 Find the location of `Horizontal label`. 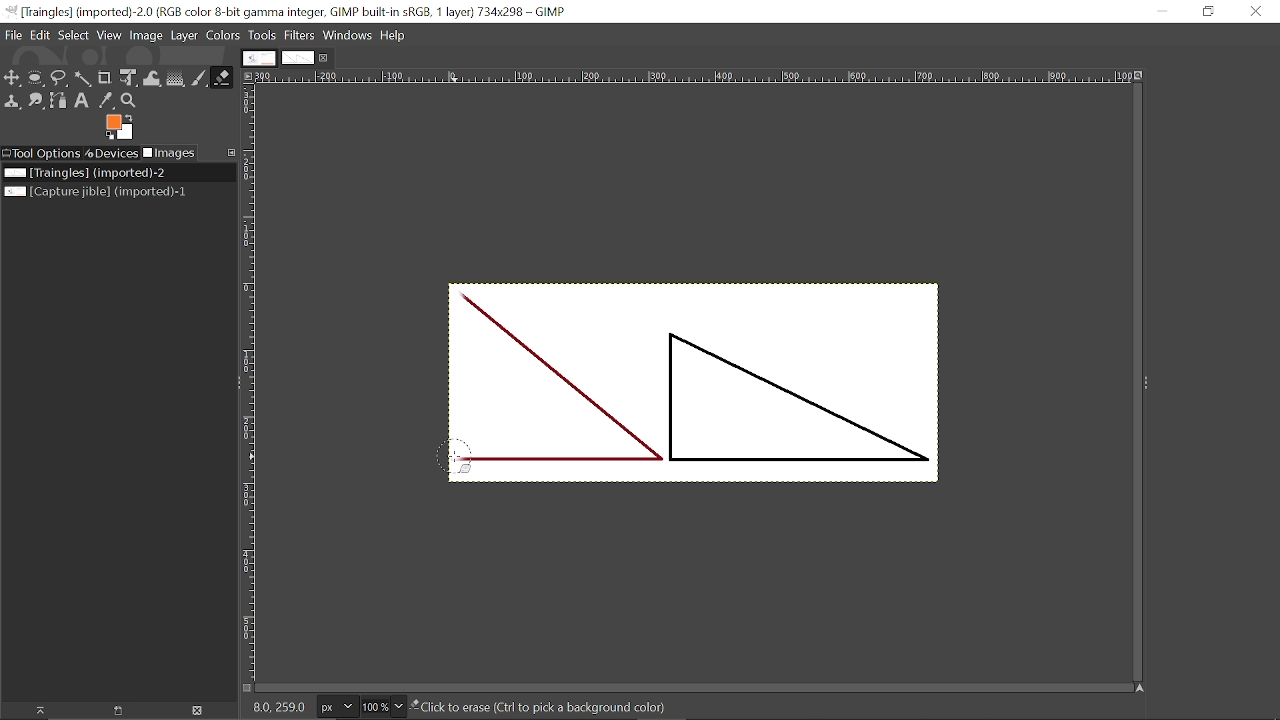

Horizontal label is located at coordinates (696, 78).